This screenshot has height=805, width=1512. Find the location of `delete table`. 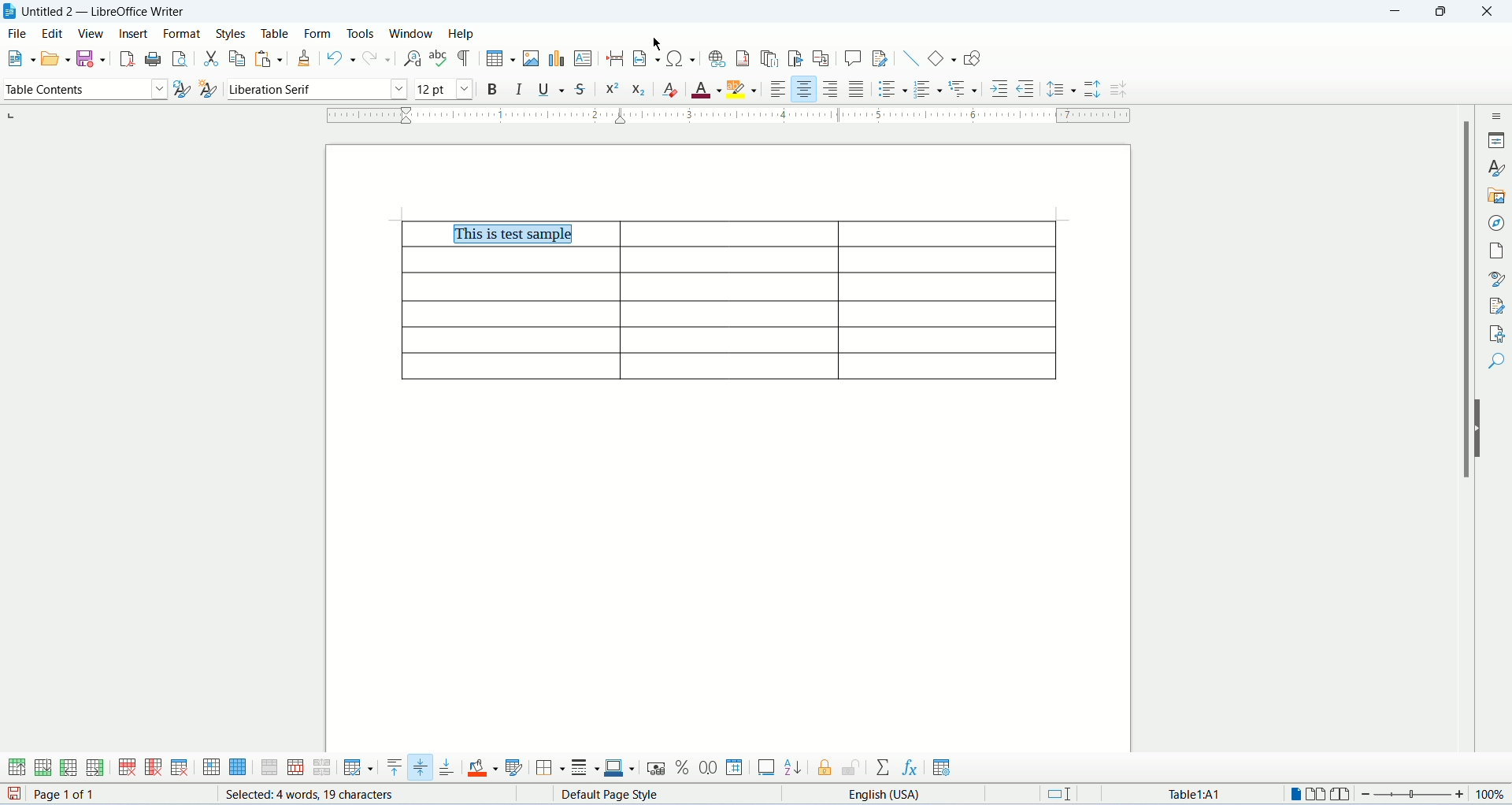

delete table is located at coordinates (180, 766).